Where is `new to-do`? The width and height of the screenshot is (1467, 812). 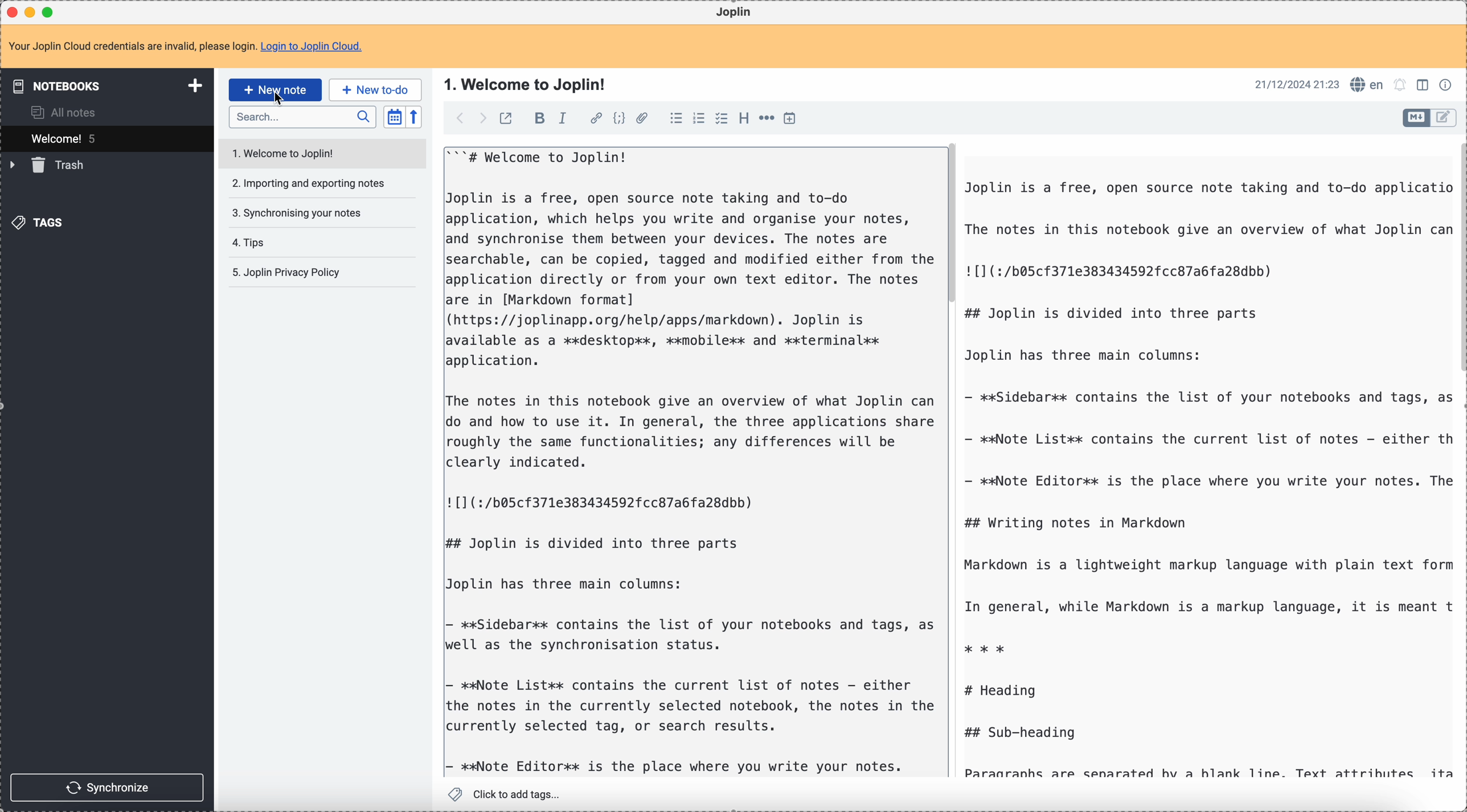
new to-do is located at coordinates (375, 89).